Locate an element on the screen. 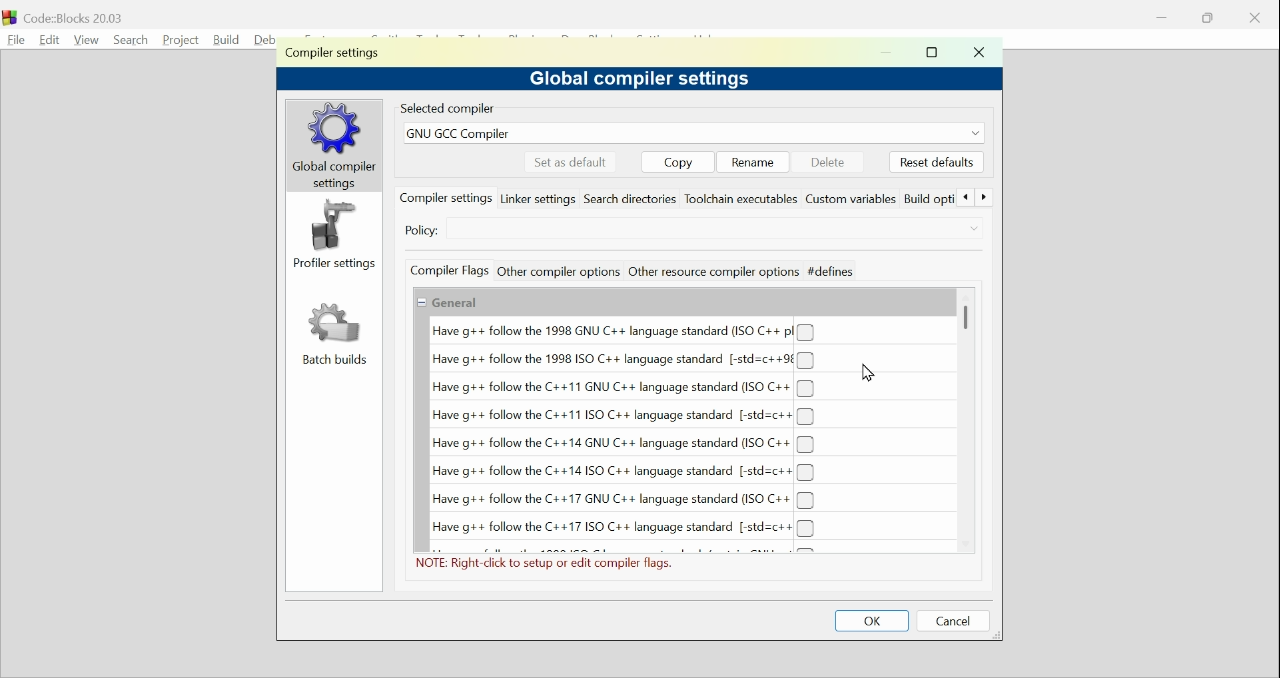 Image resolution: width=1280 pixels, height=678 pixels. Global compiler settings is located at coordinates (658, 79).